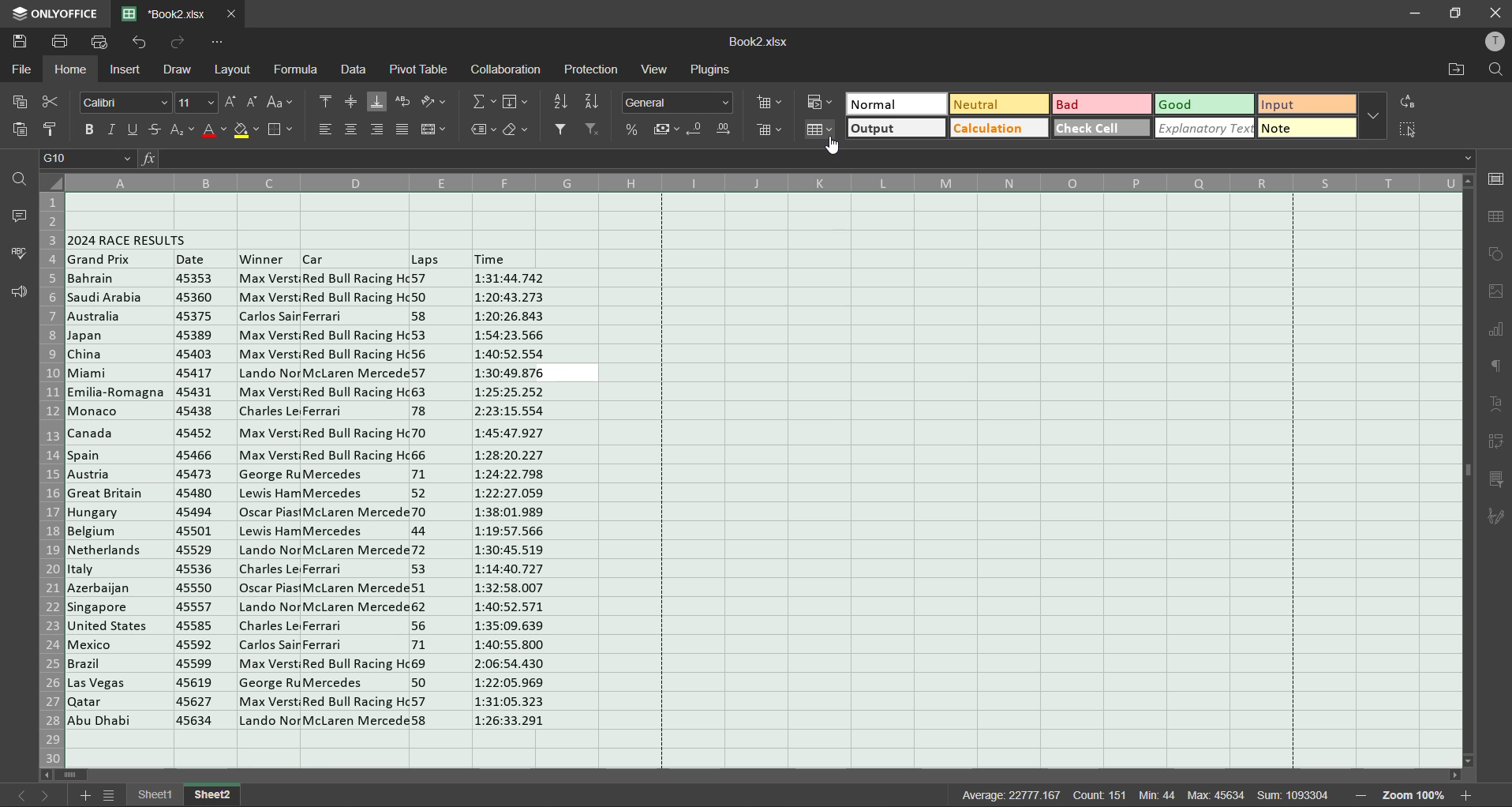 This screenshot has height=807, width=1512. What do you see at coordinates (1373, 116) in the screenshot?
I see `more options` at bounding box center [1373, 116].